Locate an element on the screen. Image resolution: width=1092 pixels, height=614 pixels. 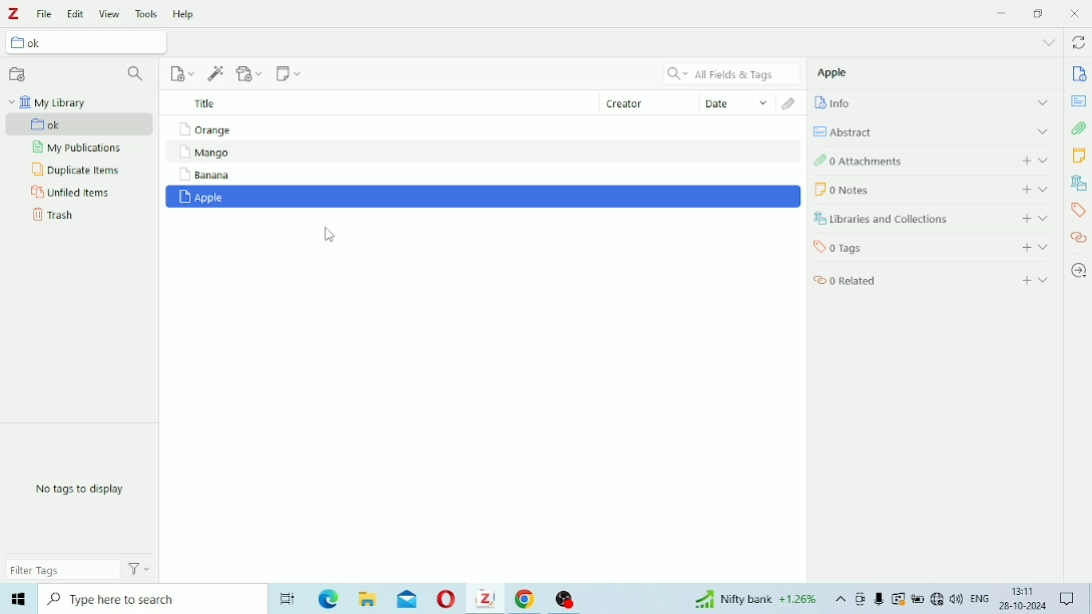
My Publications is located at coordinates (80, 149).